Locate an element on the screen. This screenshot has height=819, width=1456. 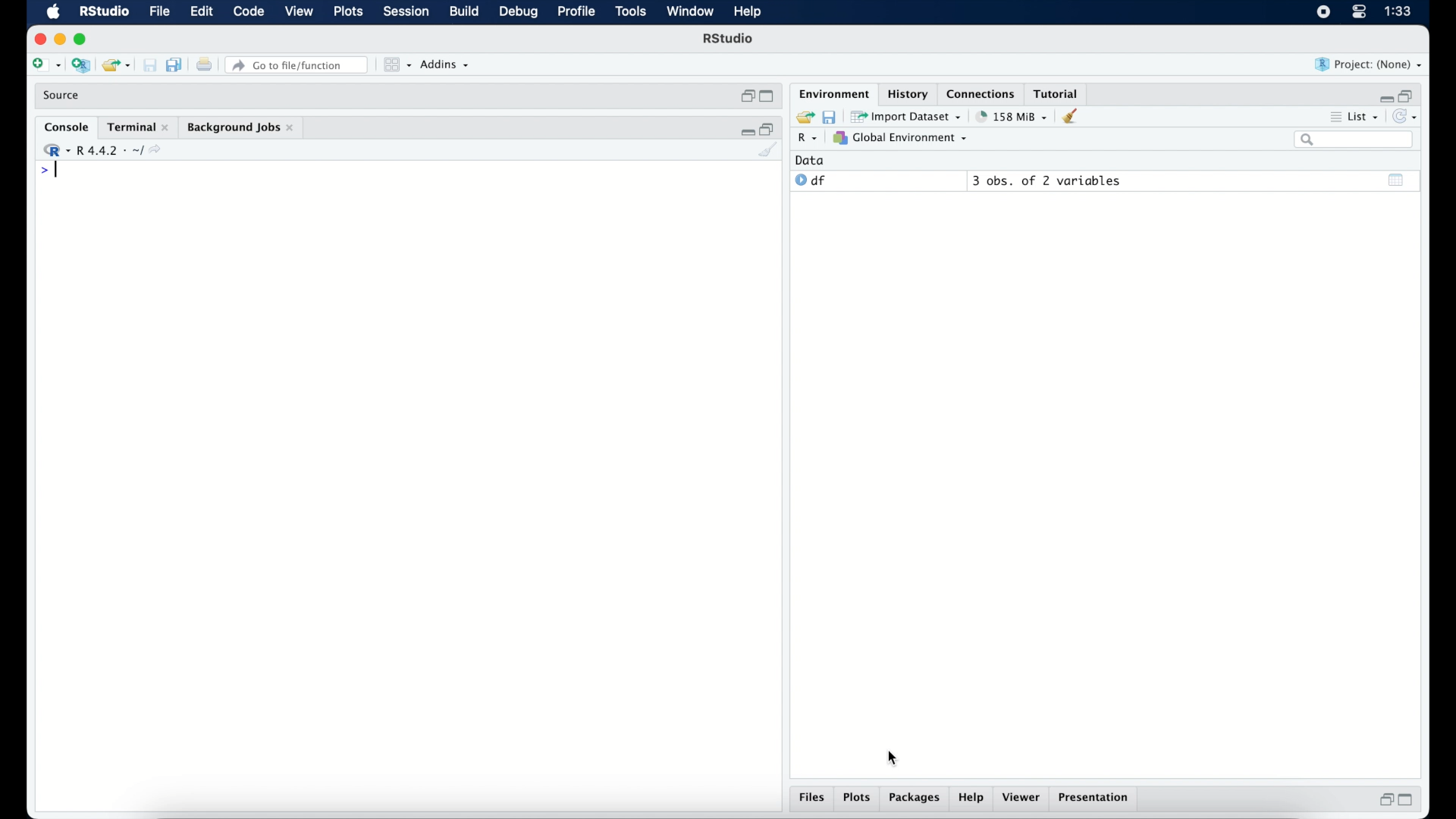
addins is located at coordinates (446, 65).